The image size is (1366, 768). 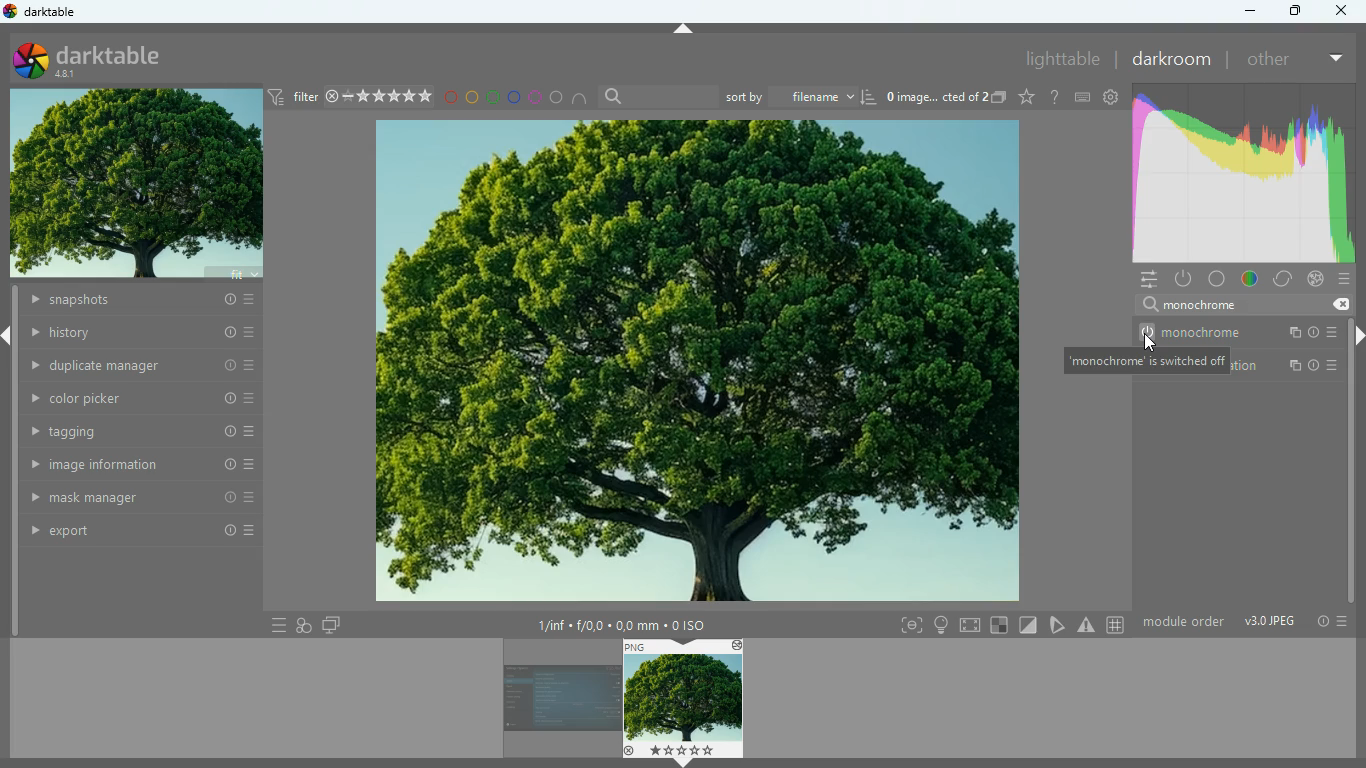 I want to click on keyboard, so click(x=1082, y=98).